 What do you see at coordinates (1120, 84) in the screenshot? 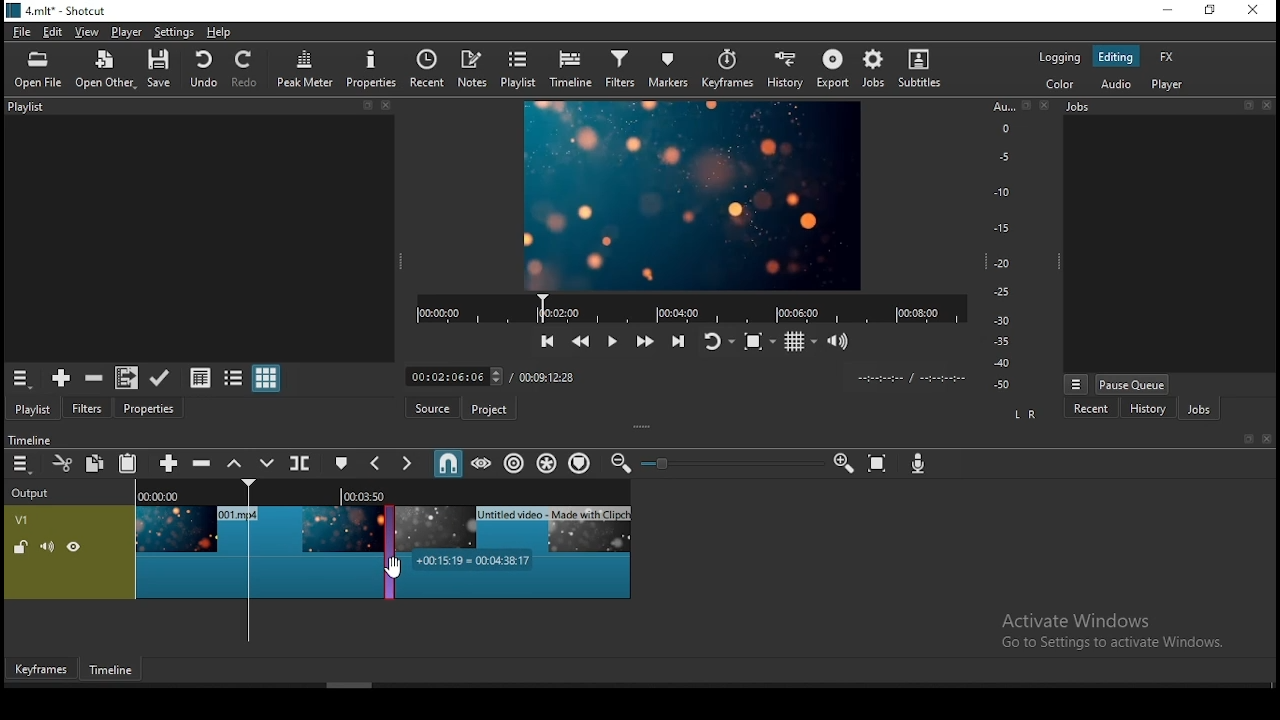
I see `audio` at bounding box center [1120, 84].